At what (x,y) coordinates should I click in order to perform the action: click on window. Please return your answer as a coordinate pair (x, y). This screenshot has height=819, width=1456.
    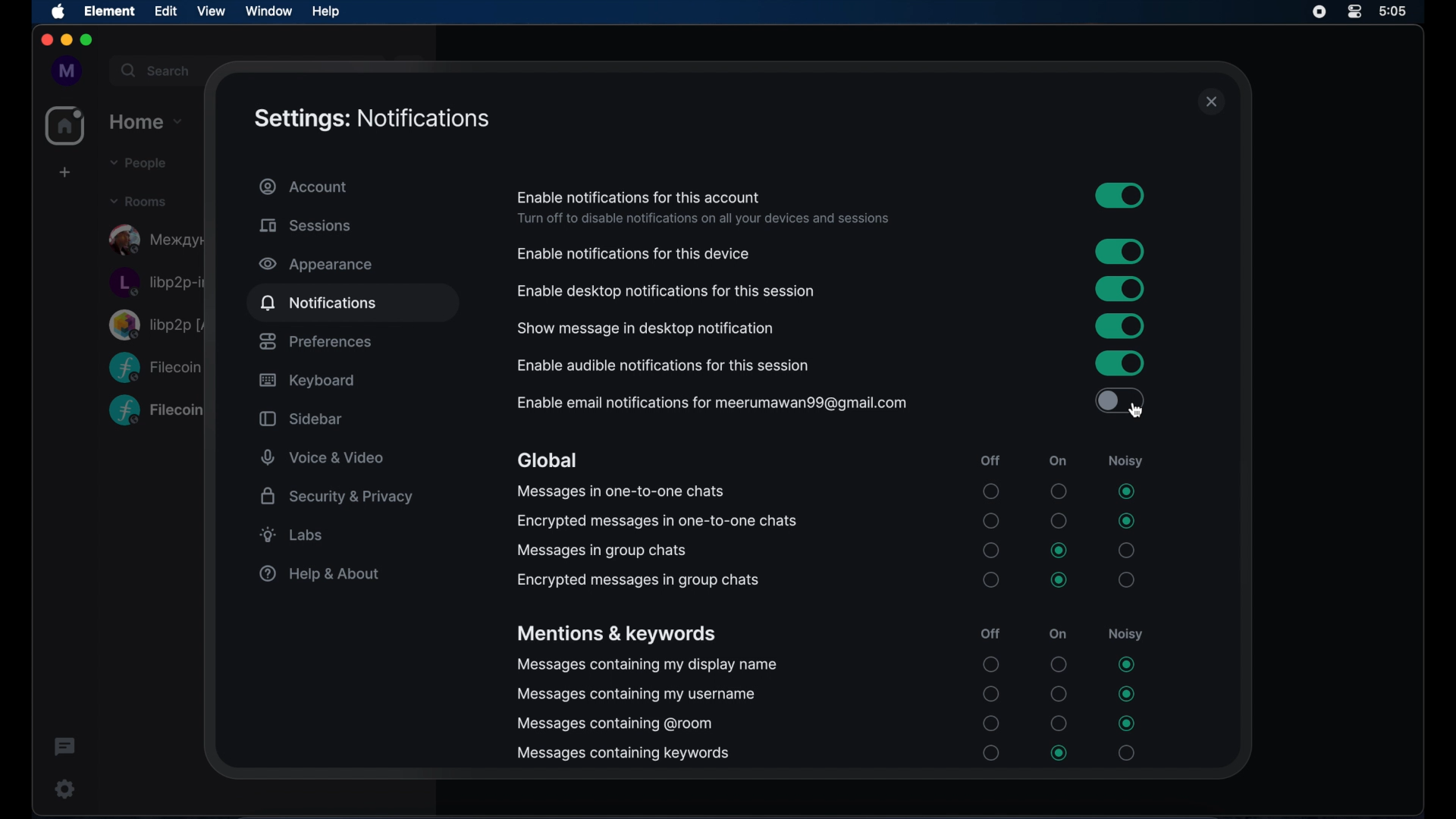
    Looking at the image, I should click on (268, 11).